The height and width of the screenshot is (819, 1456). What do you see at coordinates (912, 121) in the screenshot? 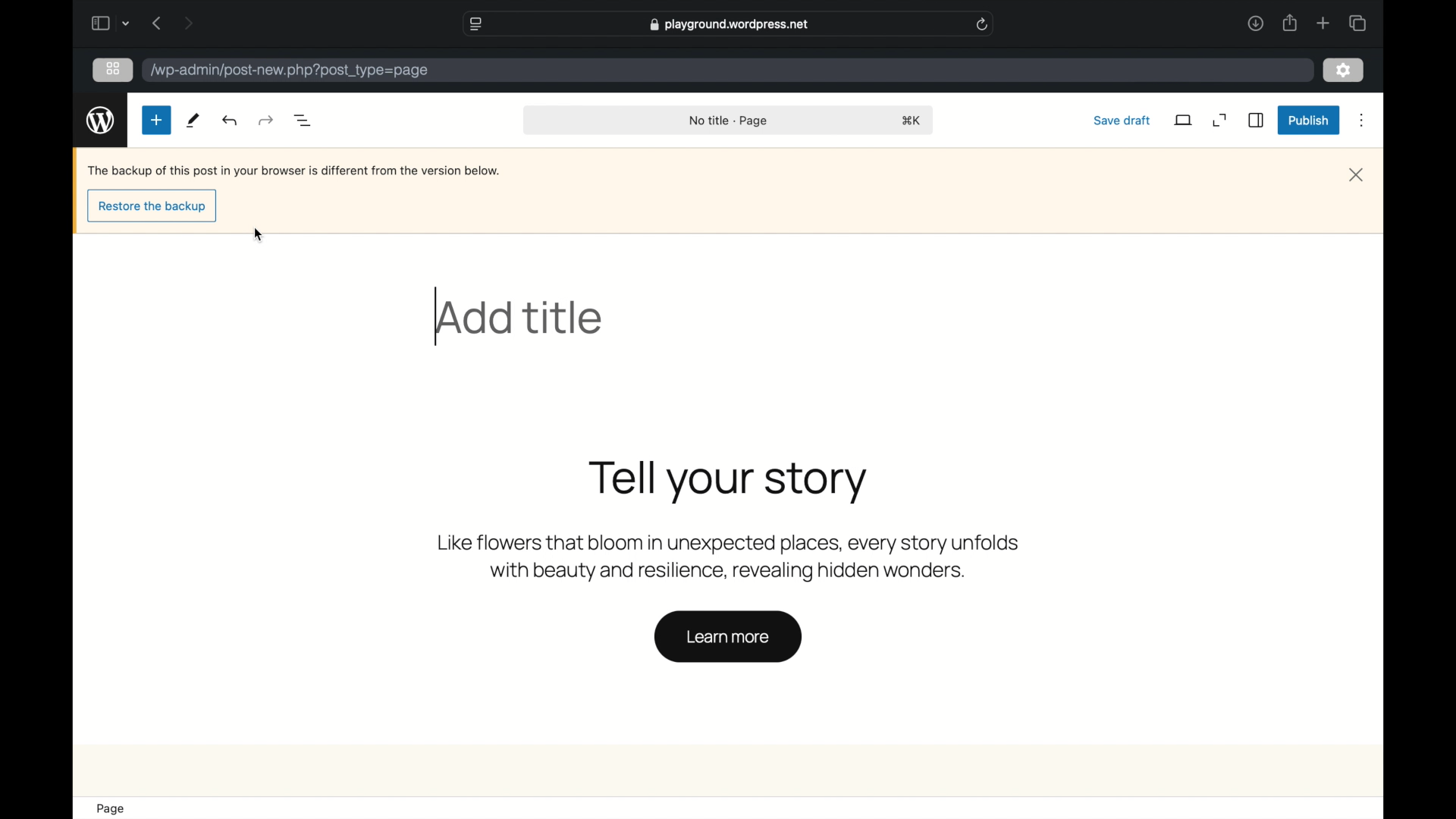
I see `shortcut` at bounding box center [912, 121].